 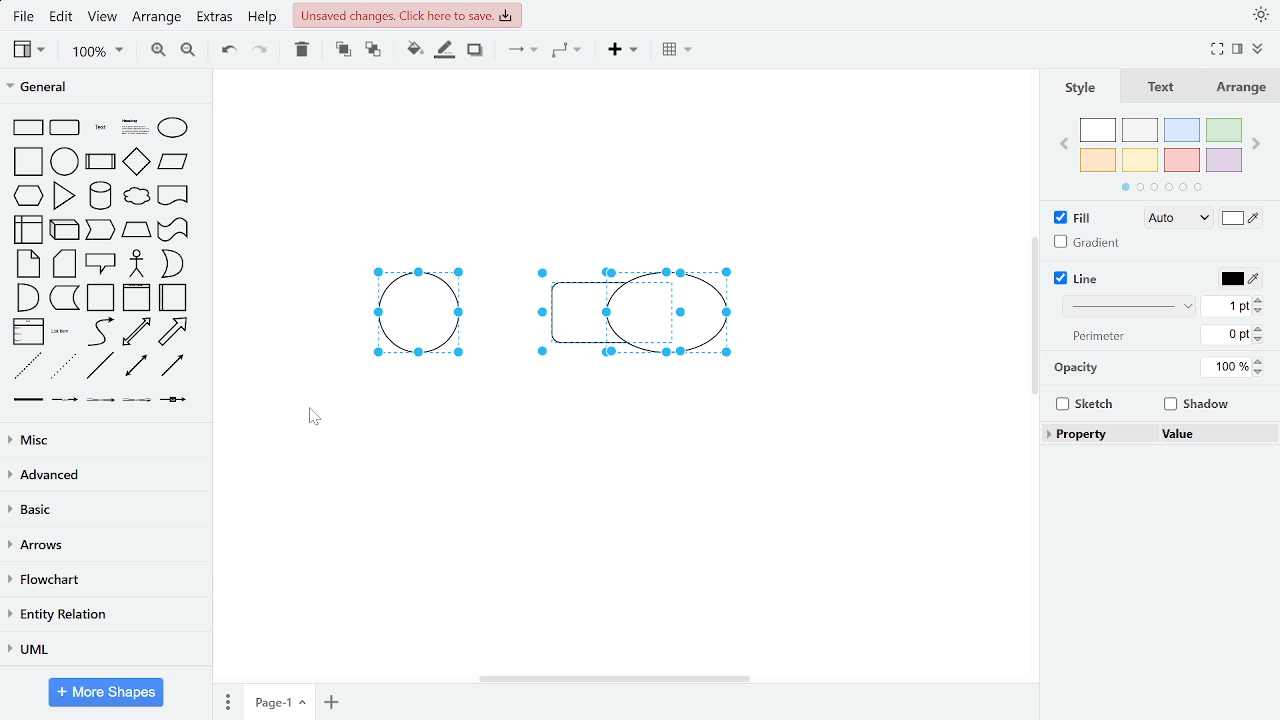 I want to click on entity relation, so click(x=102, y=614).